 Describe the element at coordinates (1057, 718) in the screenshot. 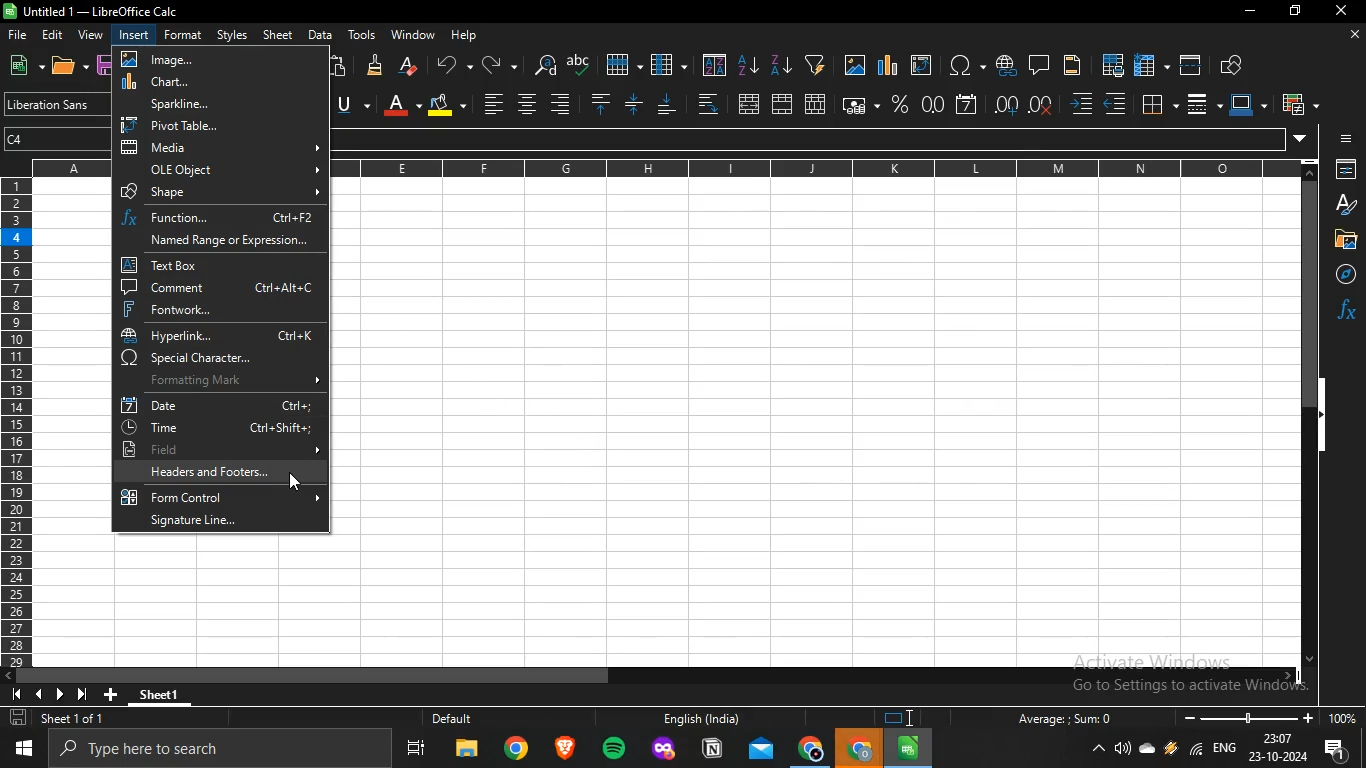

I see `Average: : Sum: 0` at that location.